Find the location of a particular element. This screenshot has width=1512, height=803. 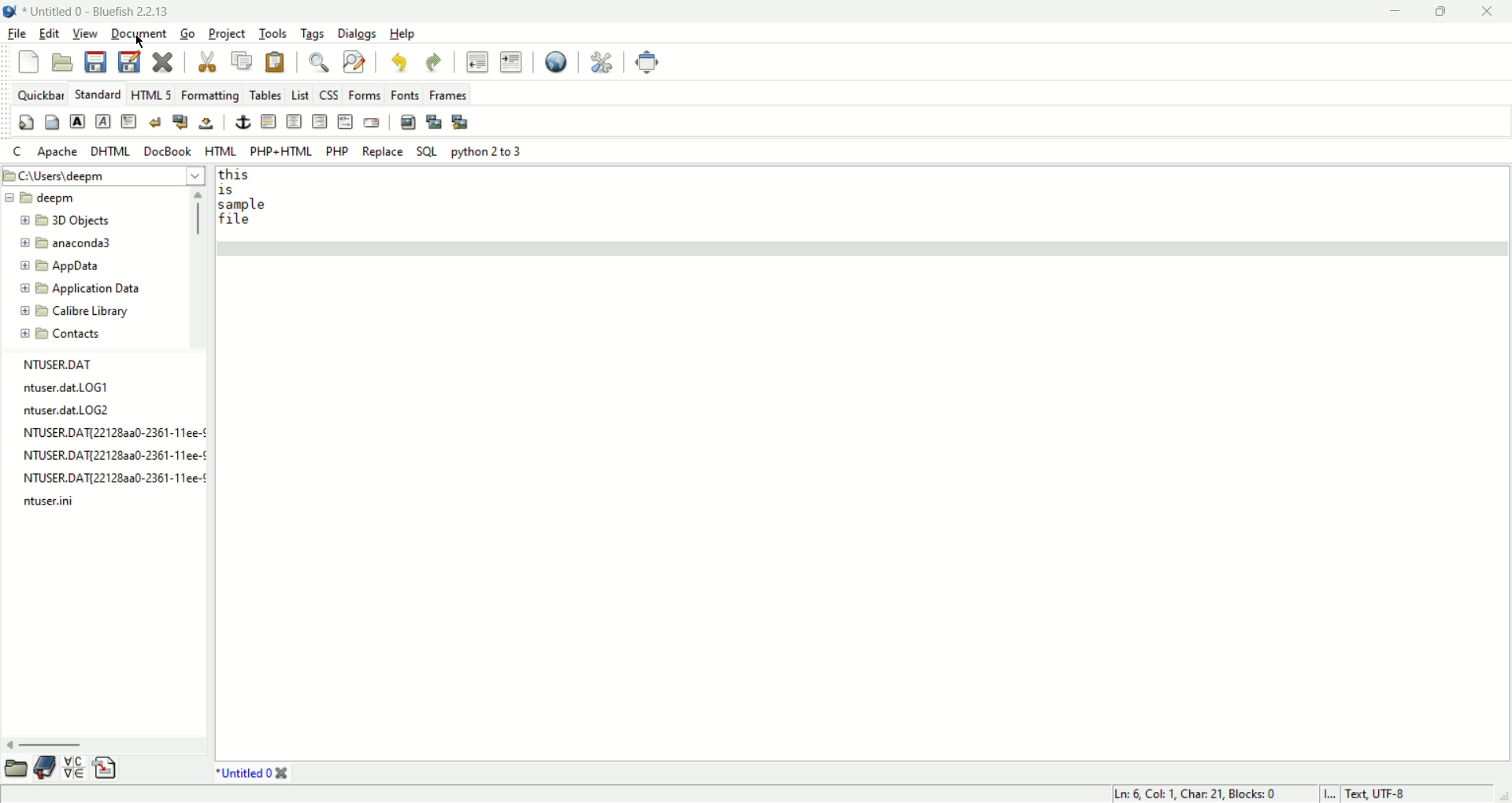

save as is located at coordinates (132, 61).